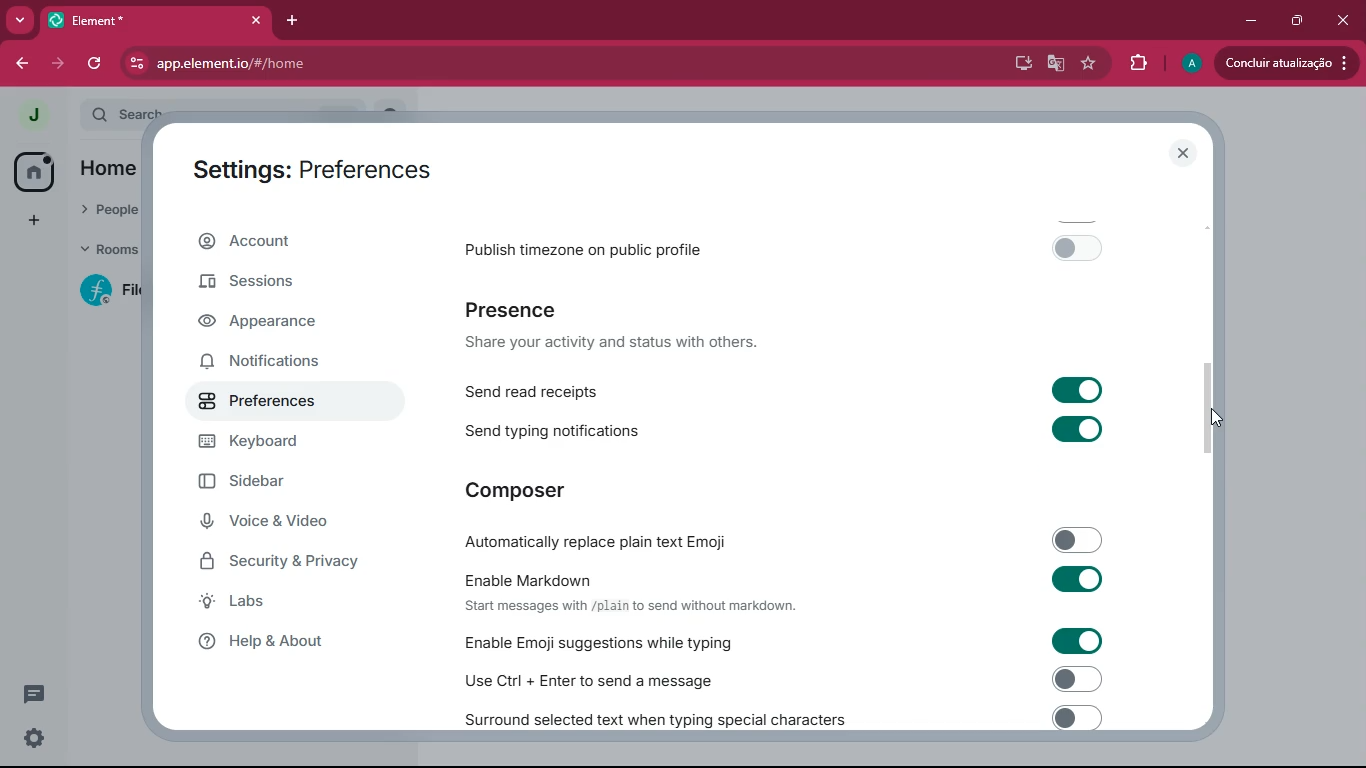 The image size is (1366, 768). What do you see at coordinates (1283, 63) in the screenshot?
I see `update` at bounding box center [1283, 63].